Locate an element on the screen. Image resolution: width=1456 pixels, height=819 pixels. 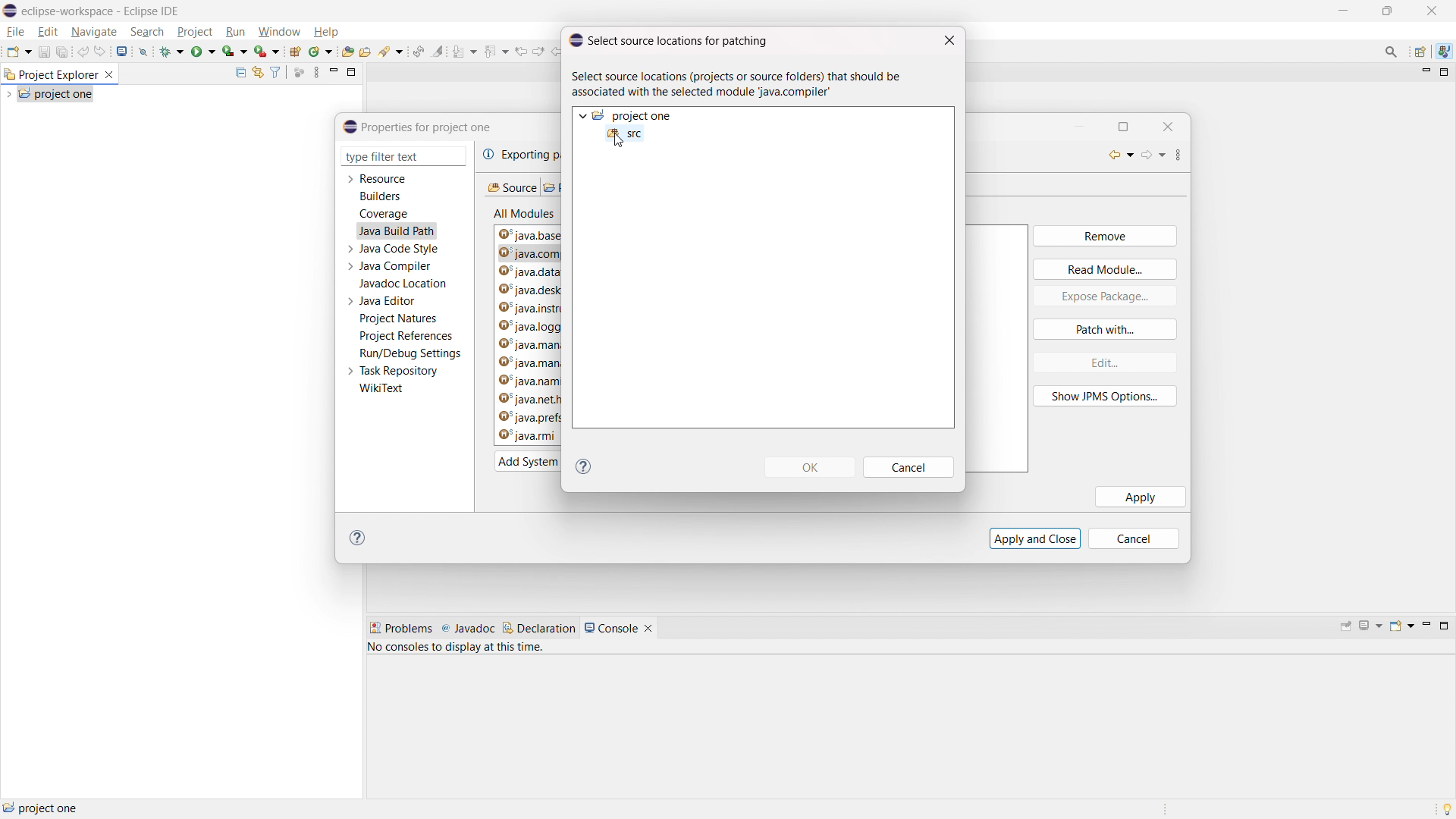
type filter text is located at coordinates (394, 157).